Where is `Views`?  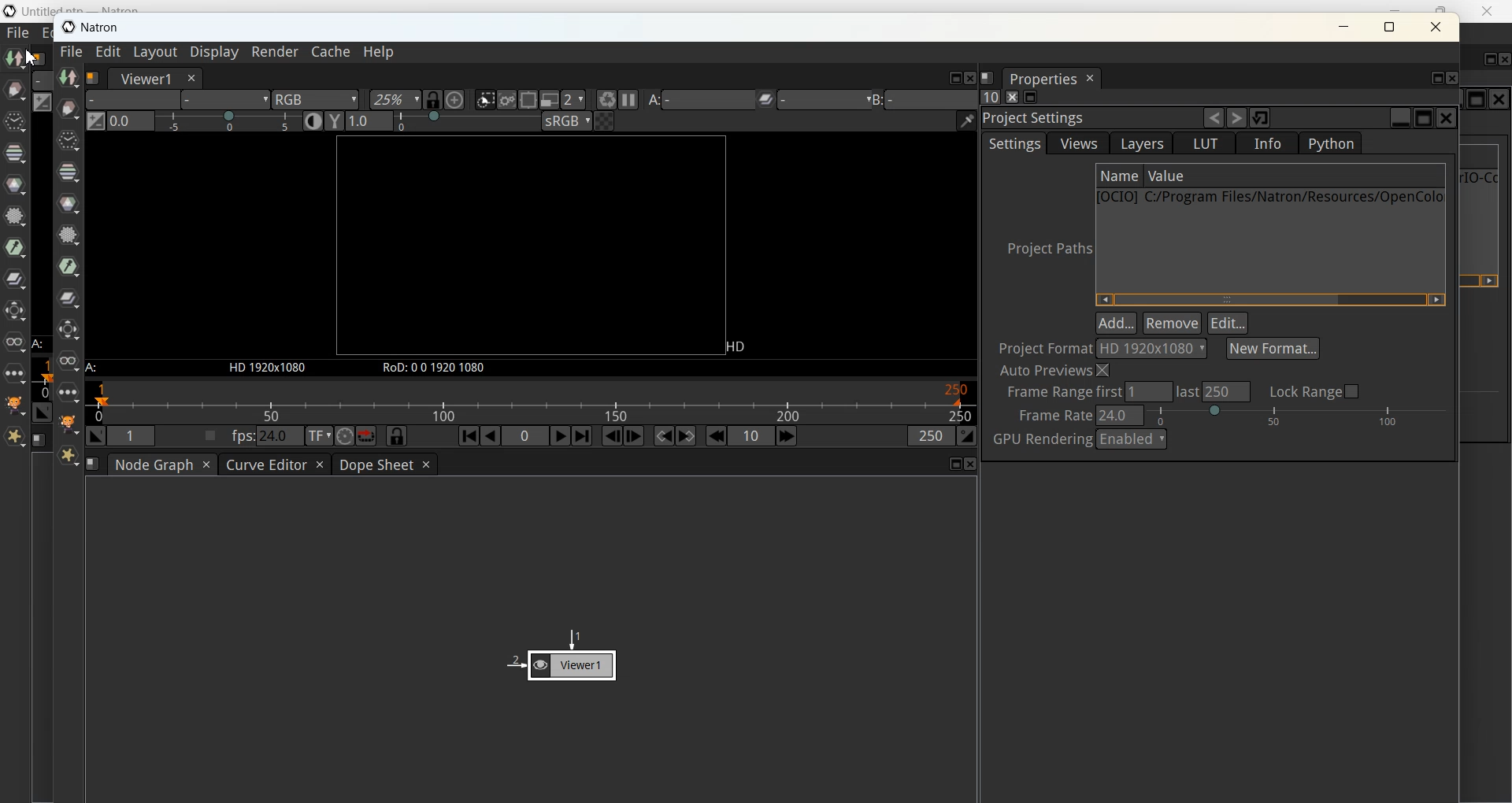 Views is located at coordinates (15, 342).